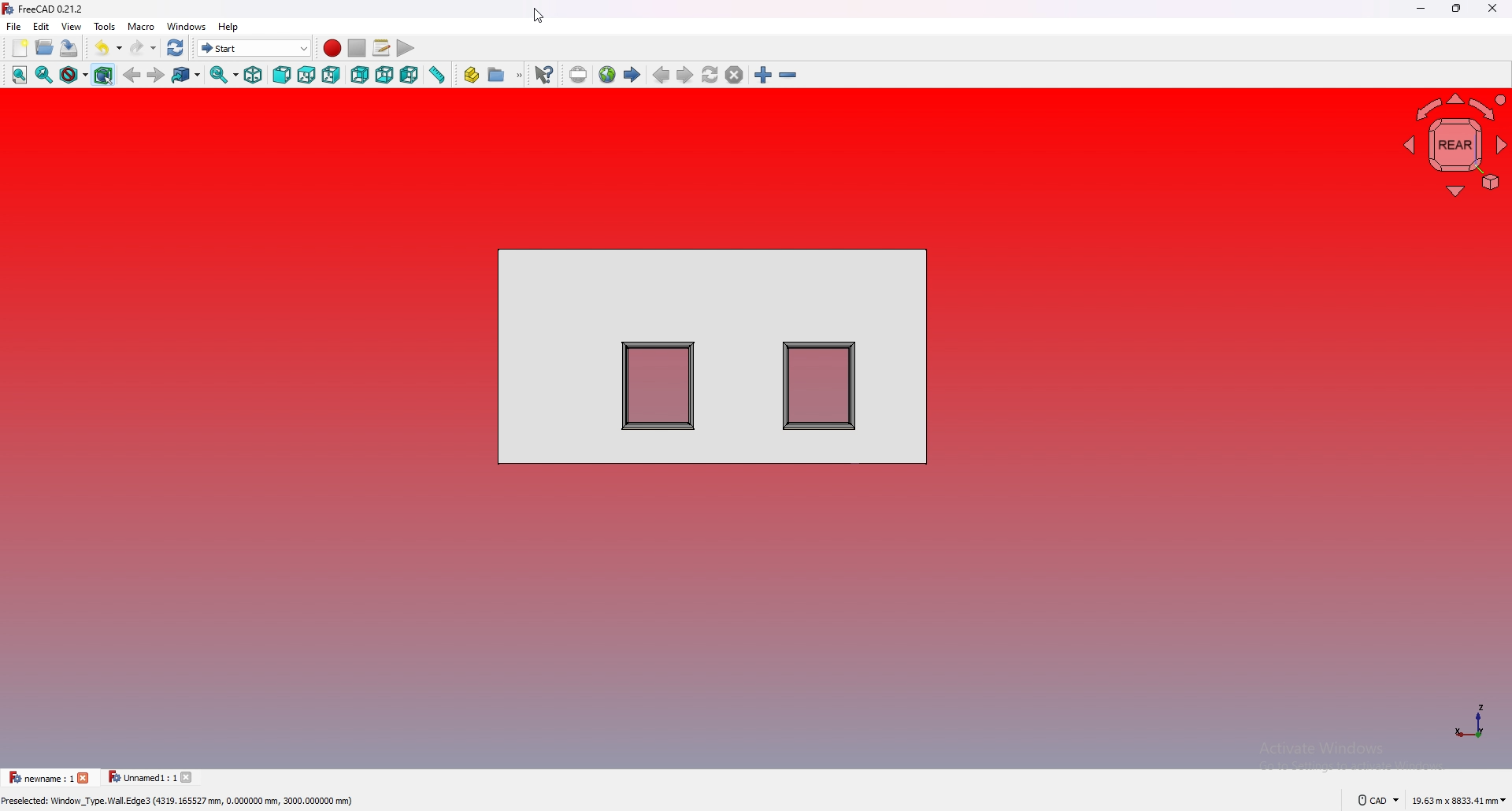  Describe the element at coordinates (143, 47) in the screenshot. I see `redo` at that location.